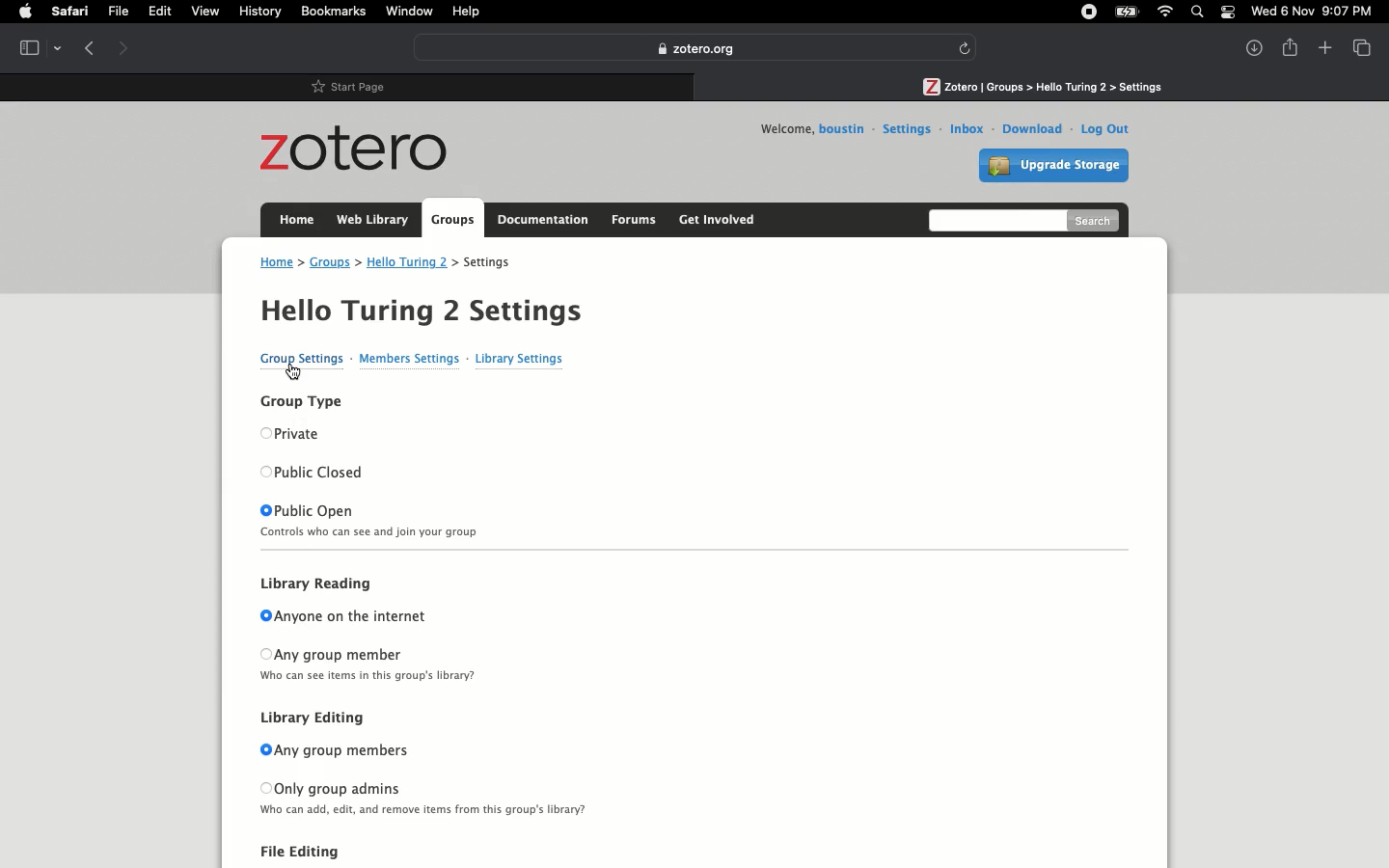 The width and height of the screenshot is (1389, 868). Describe the element at coordinates (1291, 46) in the screenshot. I see `Share` at that location.